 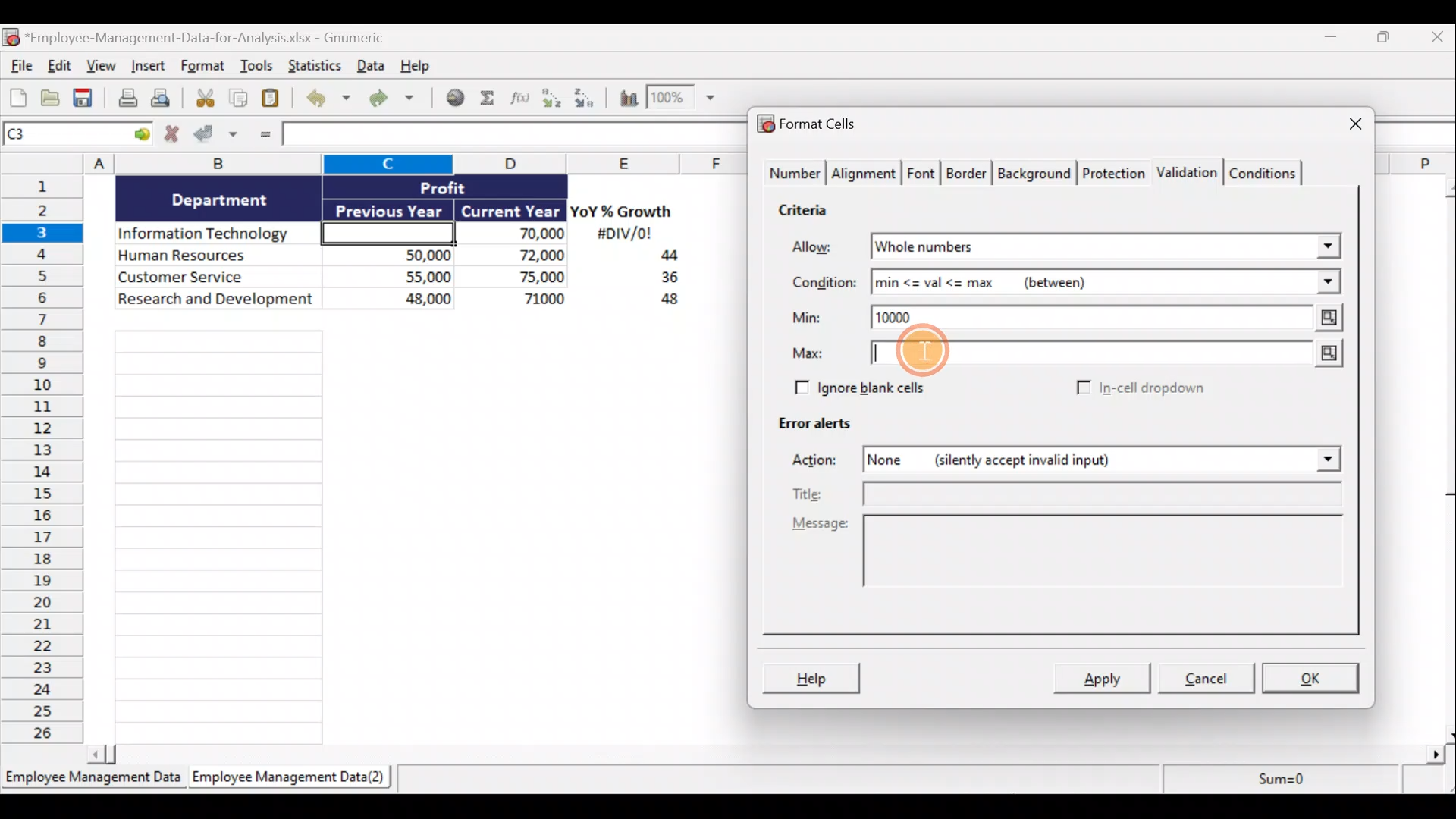 I want to click on Condition, so click(x=823, y=283).